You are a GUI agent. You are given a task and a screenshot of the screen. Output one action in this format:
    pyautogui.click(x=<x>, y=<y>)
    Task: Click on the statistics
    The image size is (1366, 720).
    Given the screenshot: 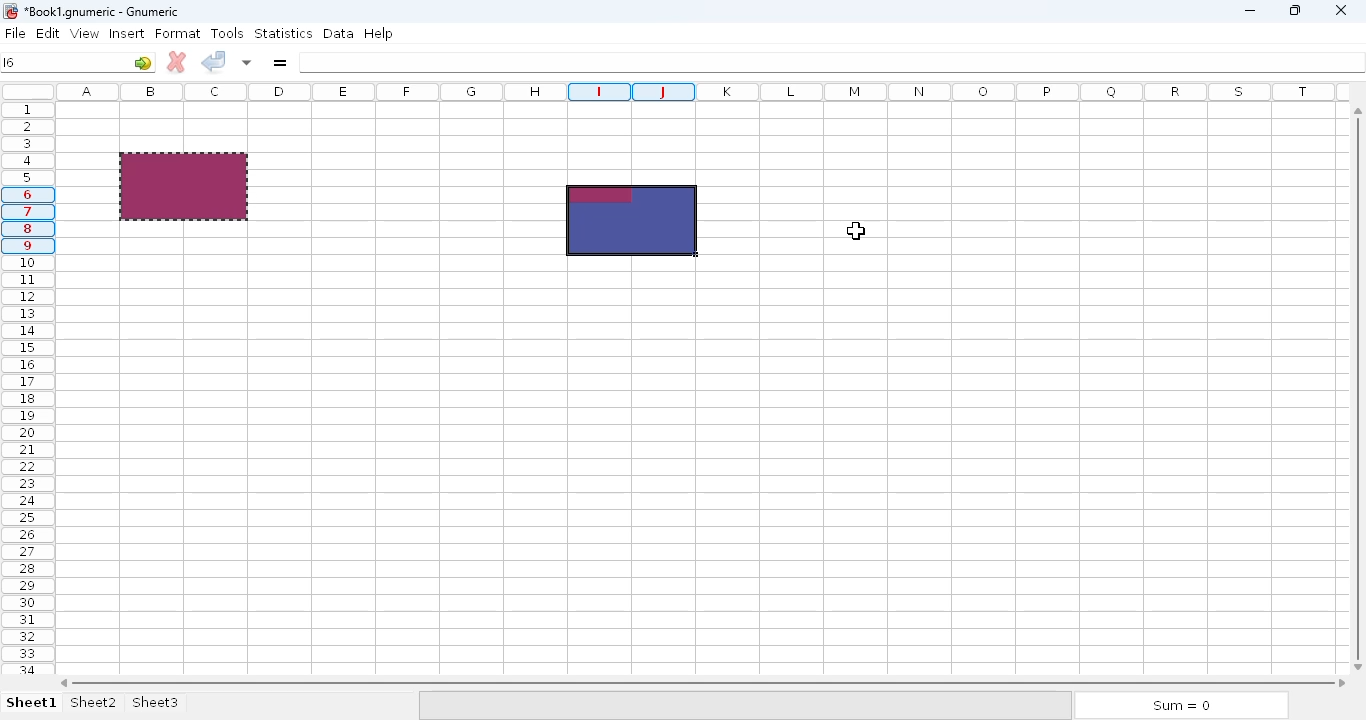 What is the action you would take?
    pyautogui.click(x=283, y=33)
    